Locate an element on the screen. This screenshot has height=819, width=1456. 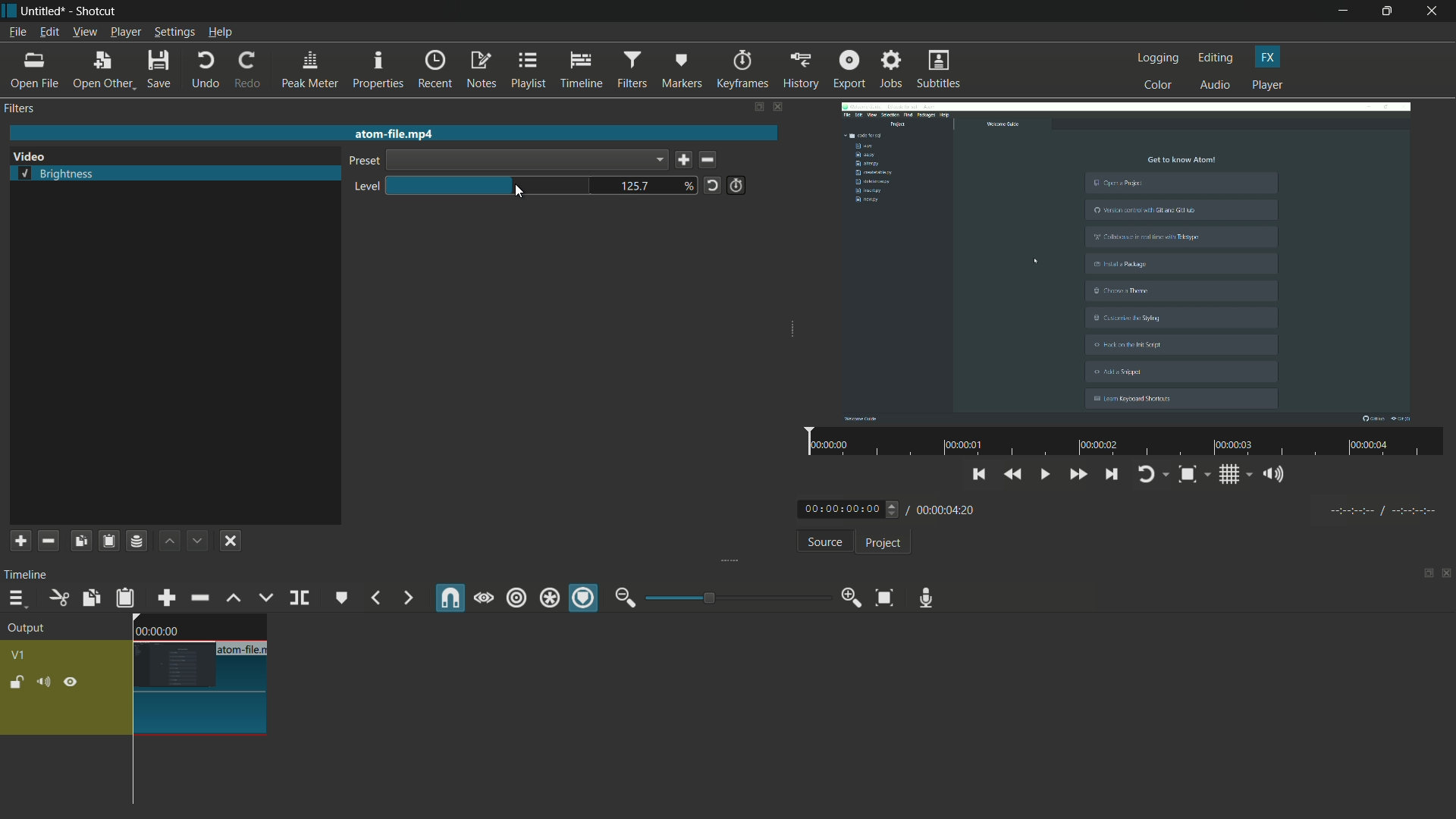
player is located at coordinates (1267, 86).